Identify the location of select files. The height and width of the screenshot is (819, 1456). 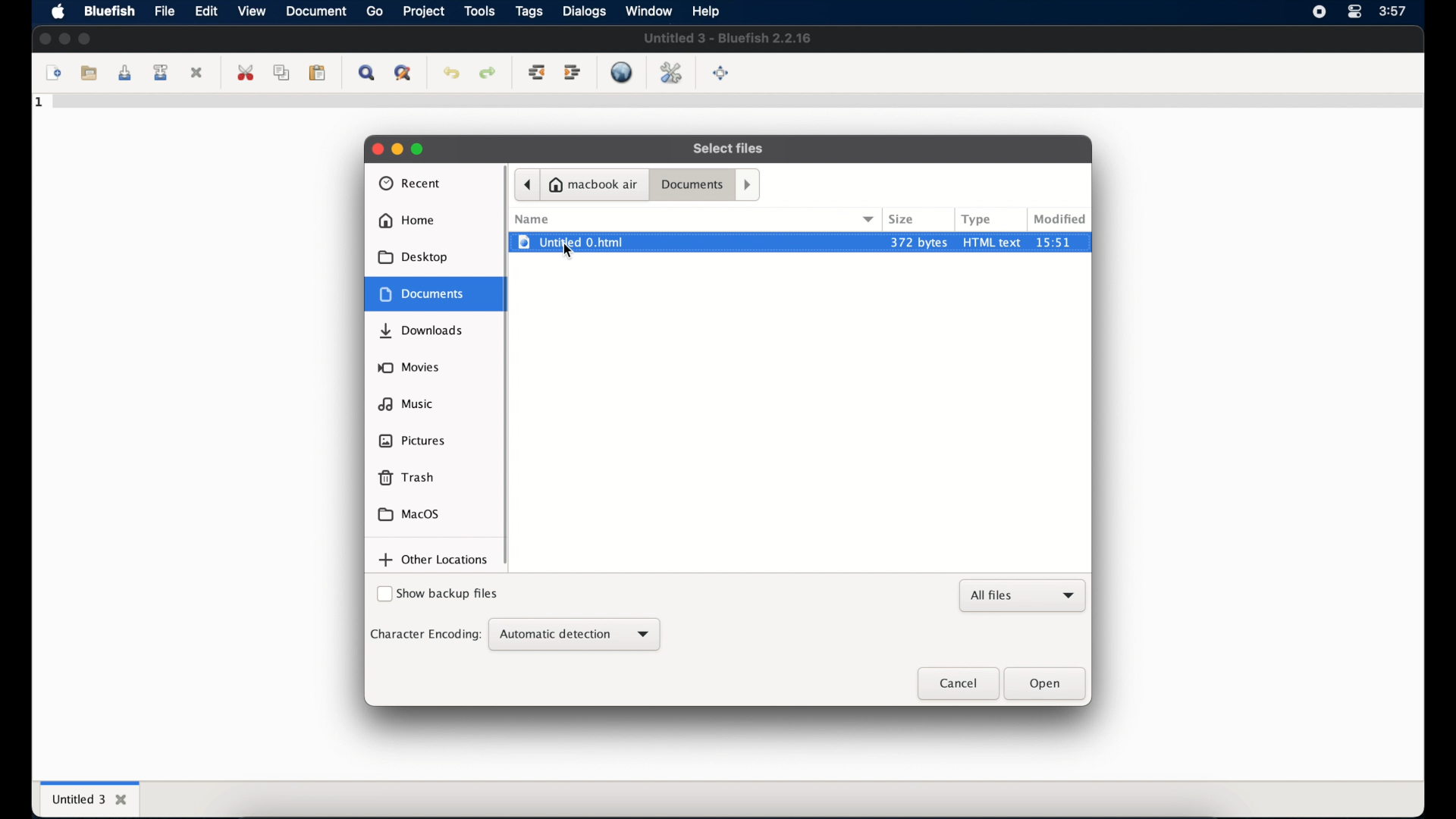
(730, 149).